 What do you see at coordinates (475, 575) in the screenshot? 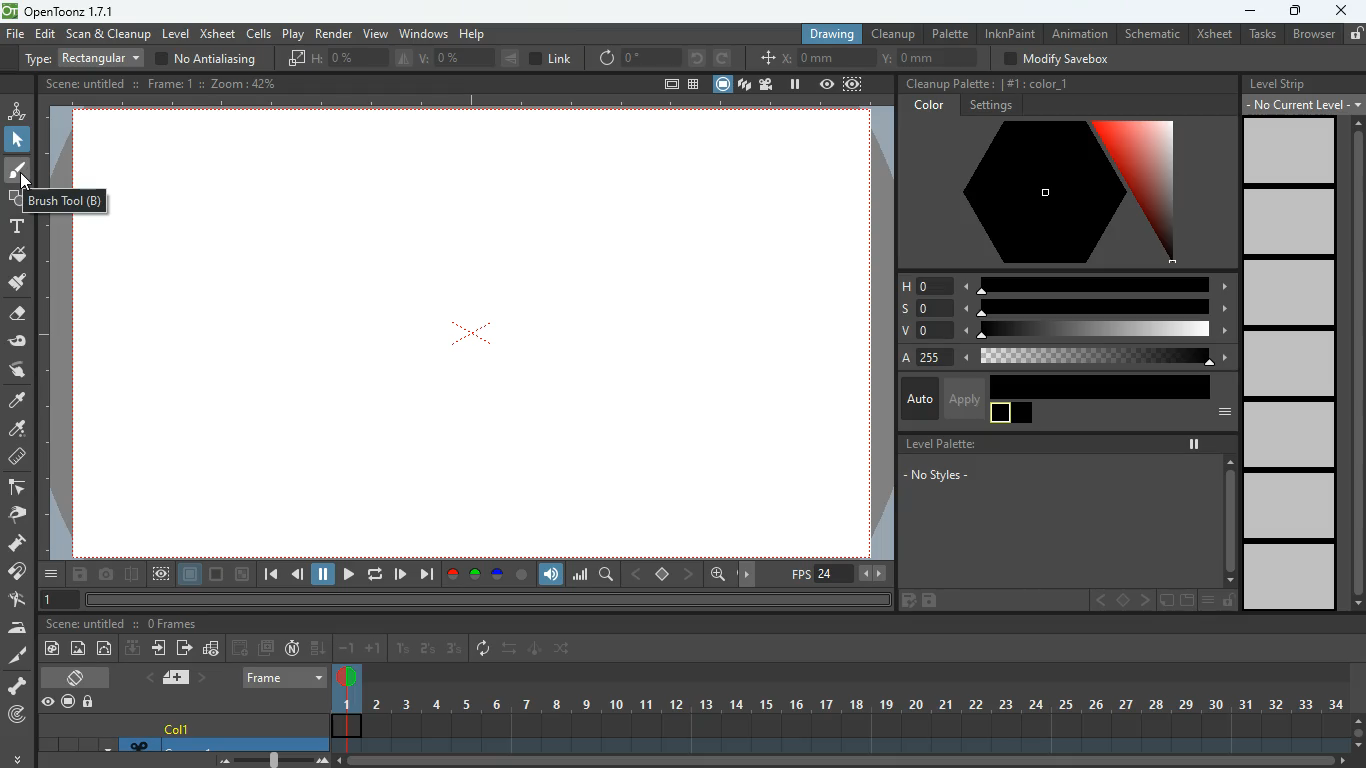
I see `green` at bounding box center [475, 575].